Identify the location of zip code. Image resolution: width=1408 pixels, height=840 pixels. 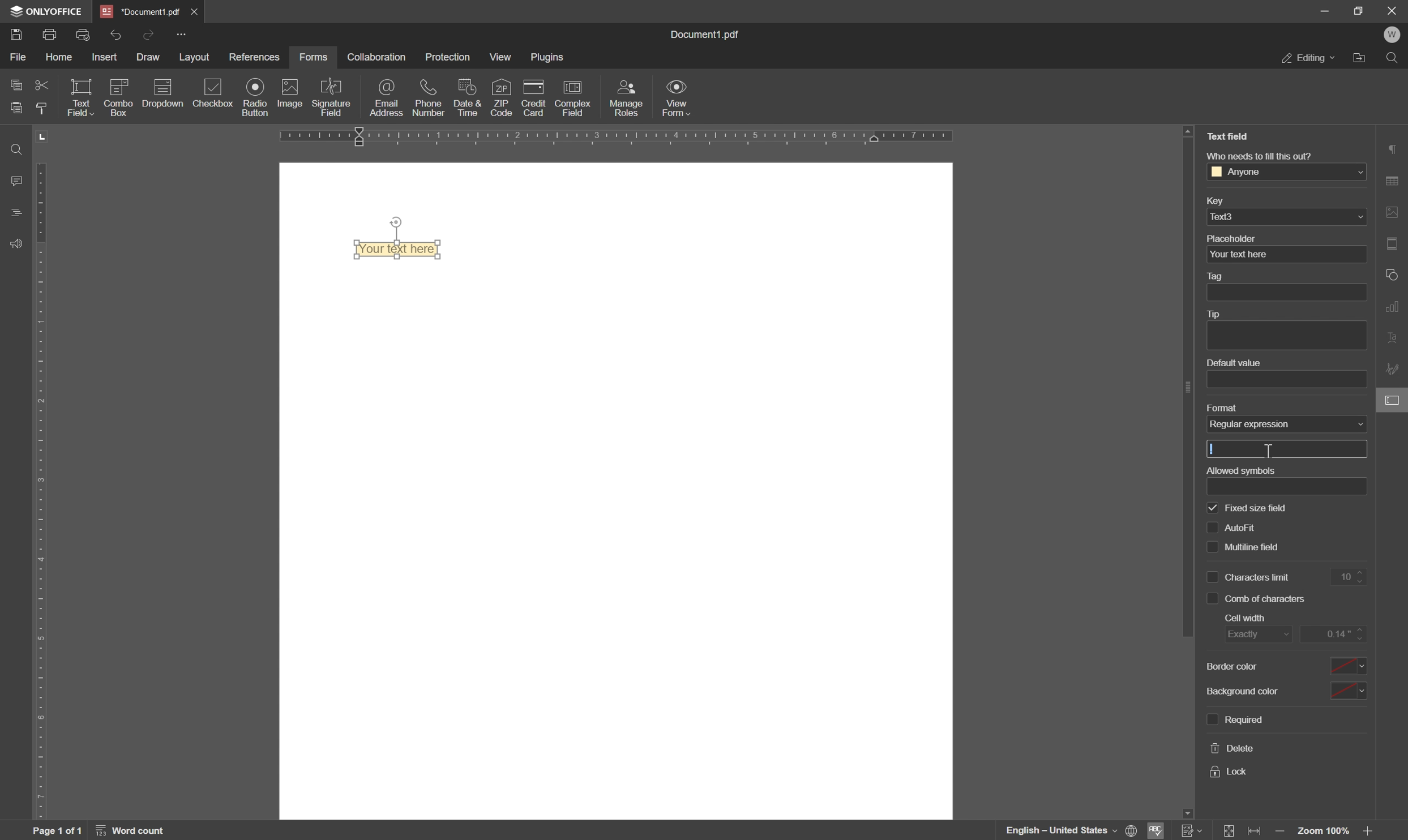
(502, 97).